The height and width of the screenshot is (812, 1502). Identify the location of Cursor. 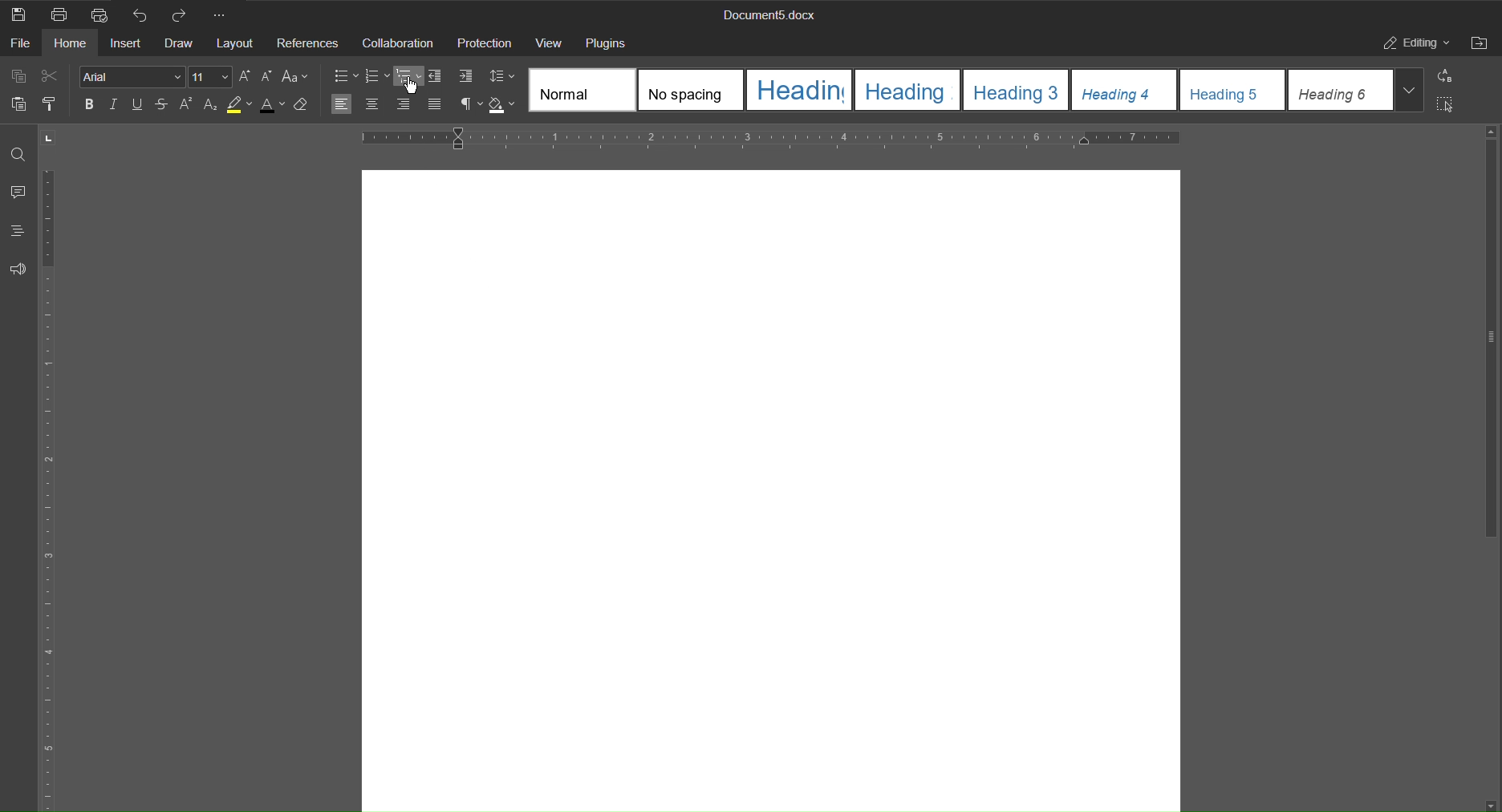
(410, 84).